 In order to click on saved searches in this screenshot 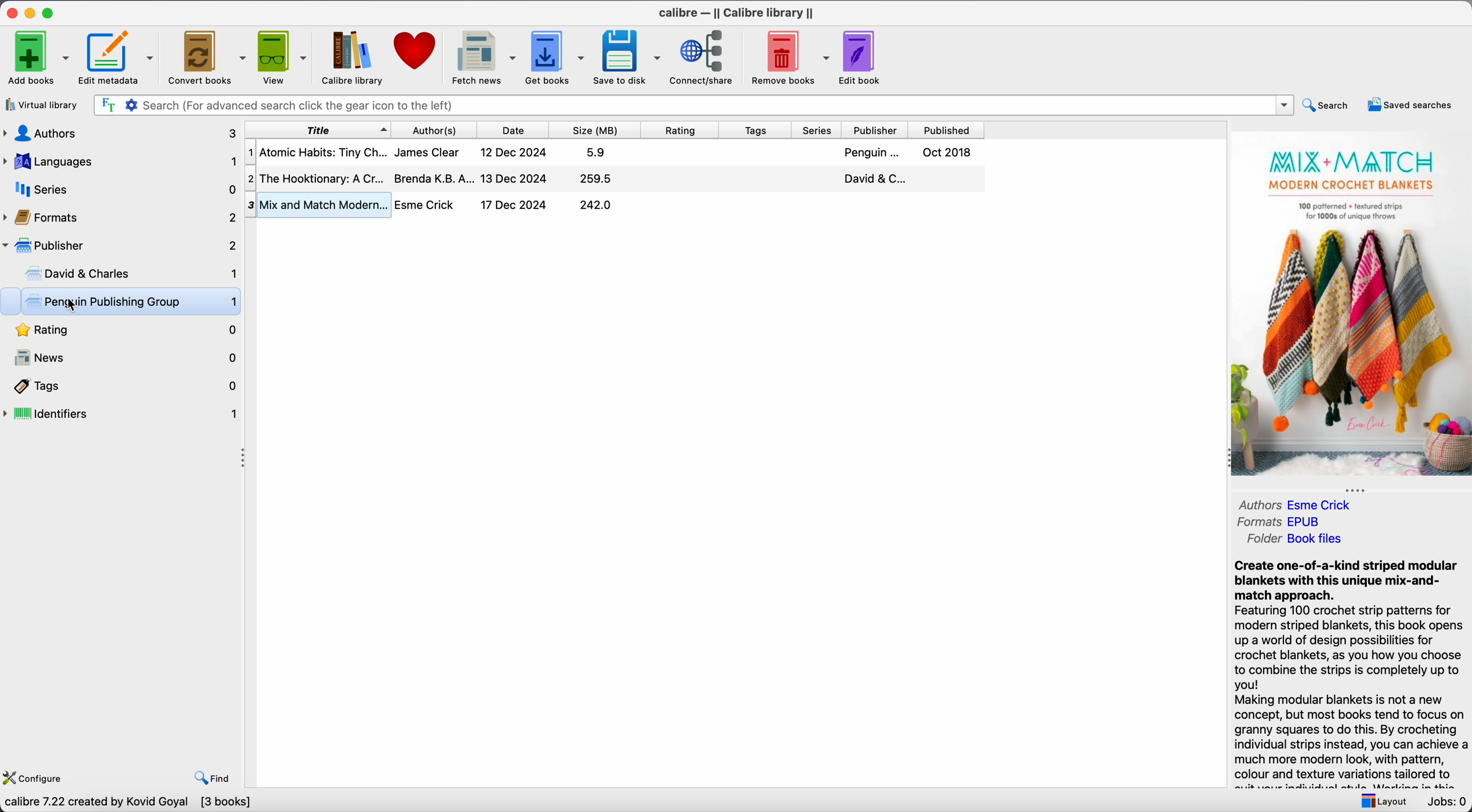, I will do `click(1409, 104)`.